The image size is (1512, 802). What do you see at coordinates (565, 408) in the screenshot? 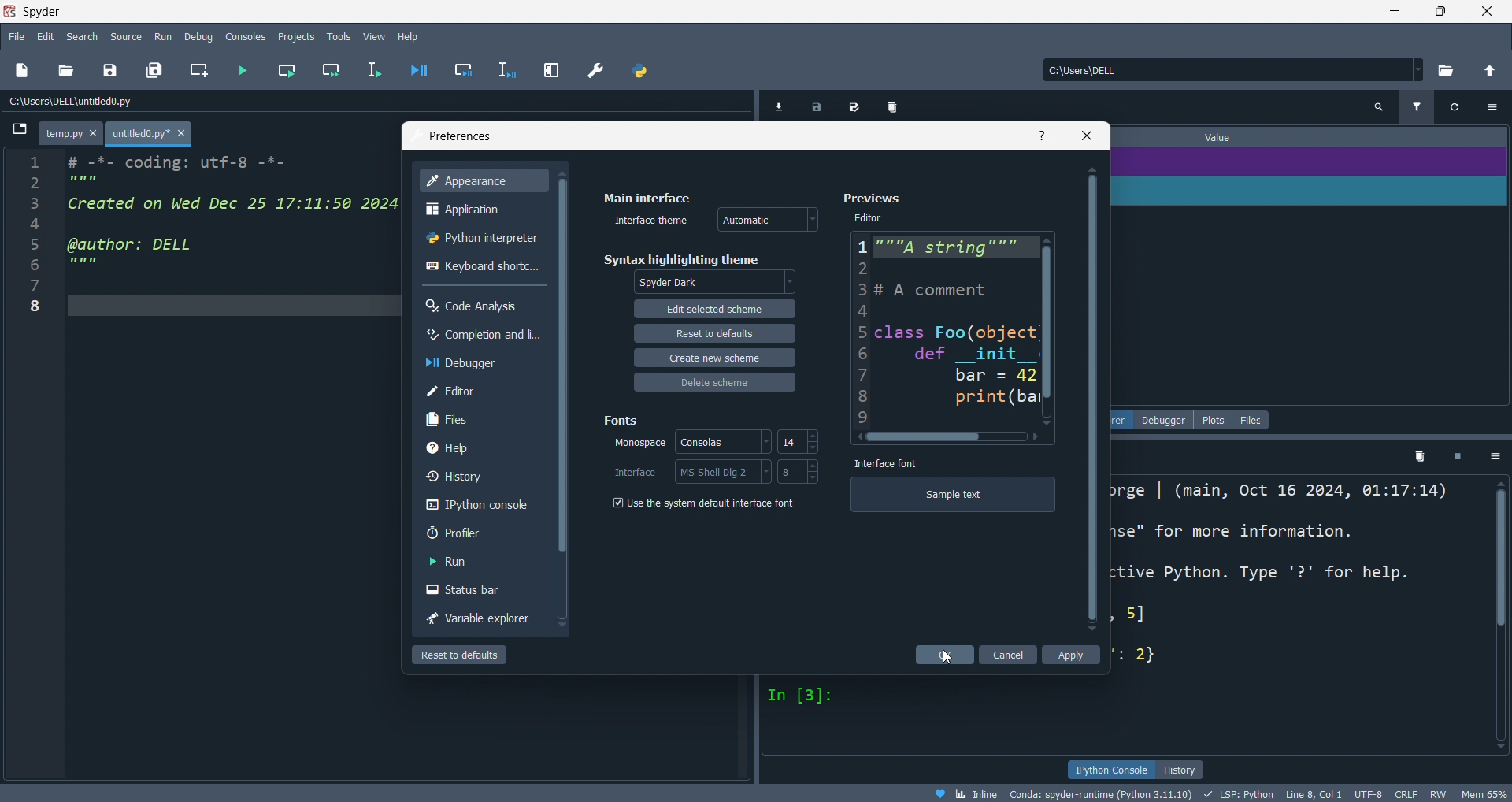
I see `scroll bar` at bounding box center [565, 408].